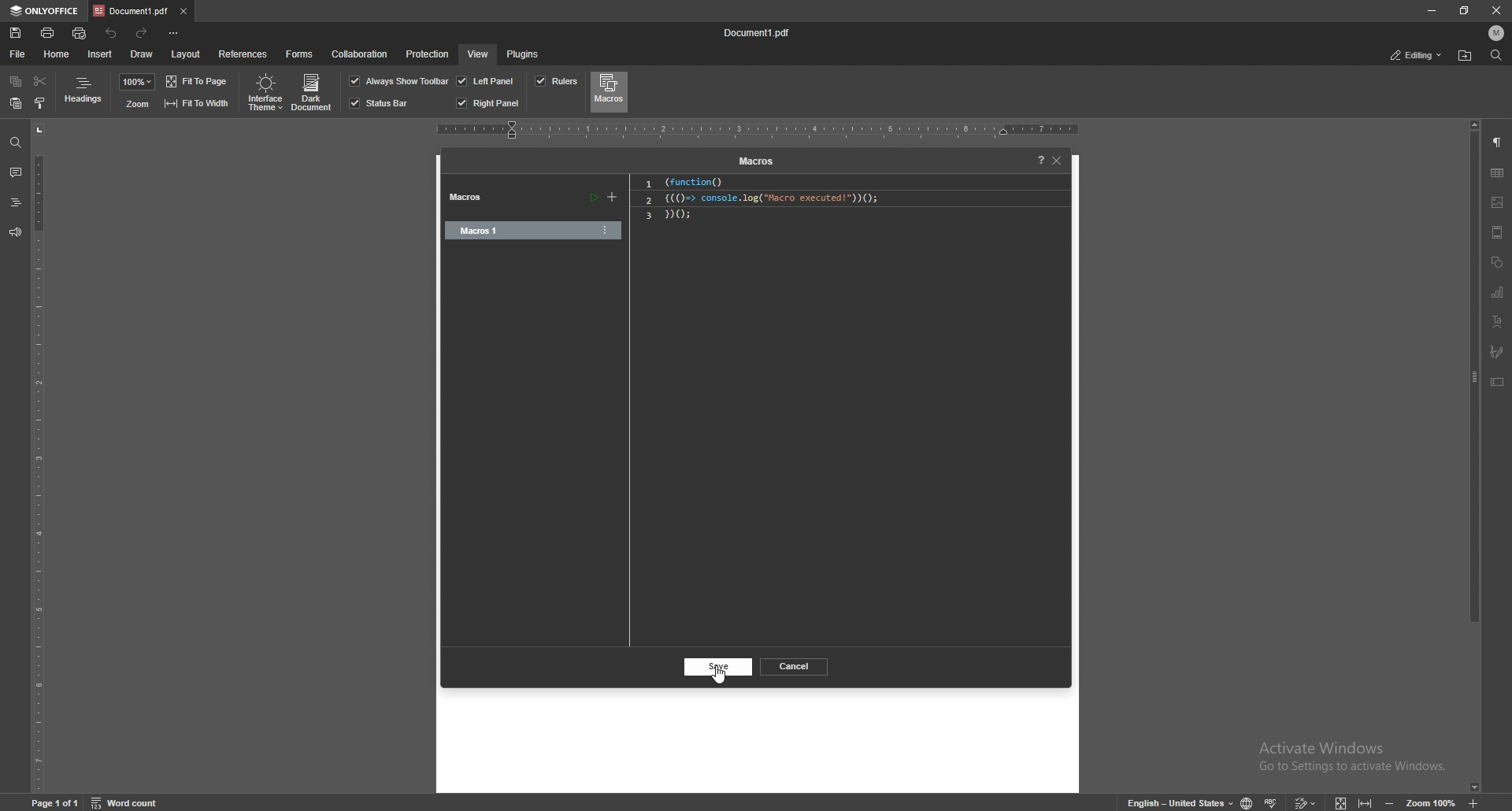  What do you see at coordinates (185, 54) in the screenshot?
I see `layout` at bounding box center [185, 54].